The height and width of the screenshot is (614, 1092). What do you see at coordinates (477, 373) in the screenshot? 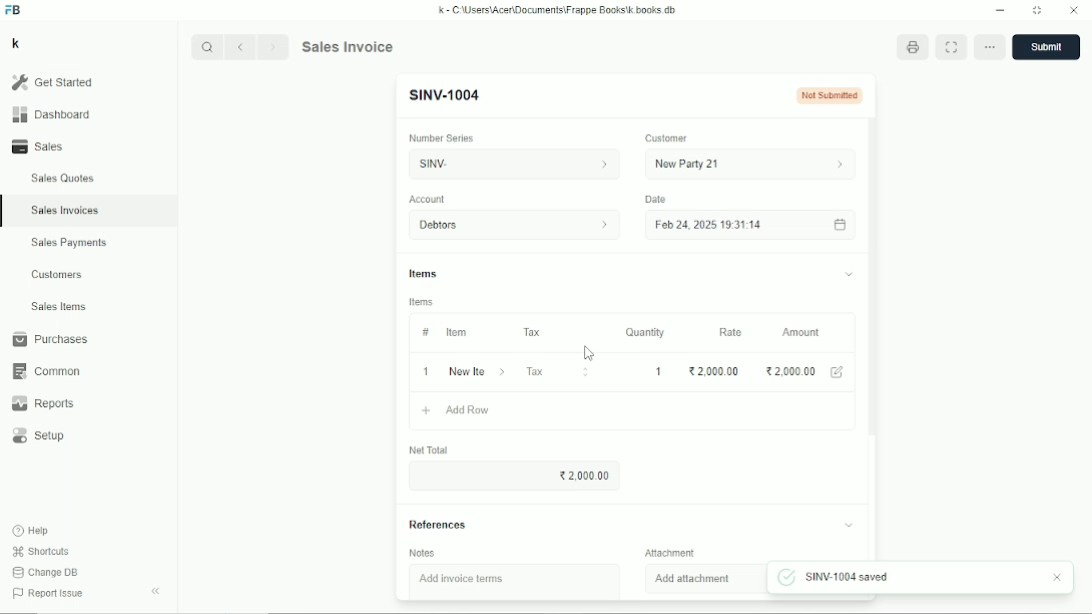
I see `New item 06` at bounding box center [477, 373].